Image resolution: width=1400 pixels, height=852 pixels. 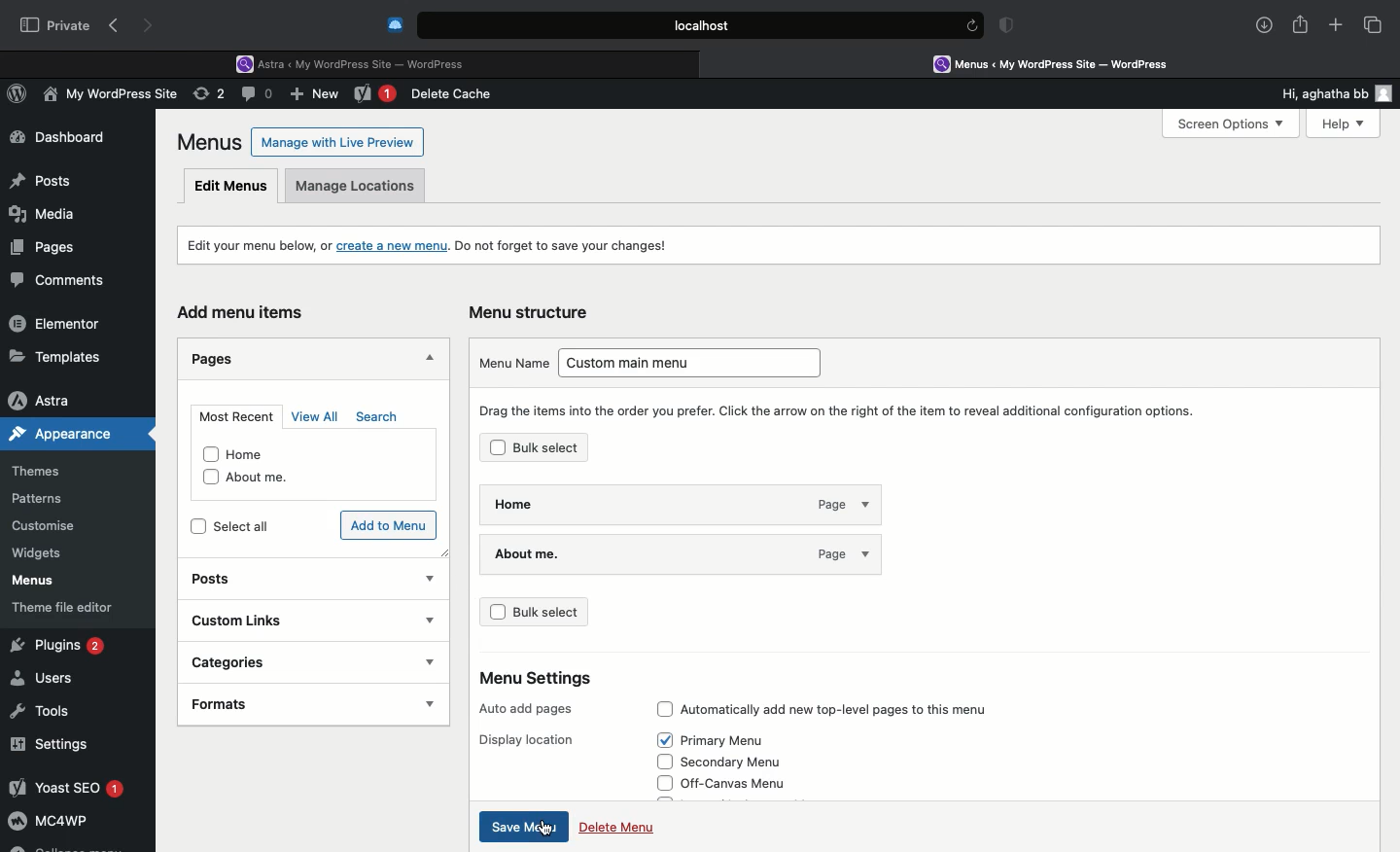 I want to click on Pages, so click(x=218, y=357).